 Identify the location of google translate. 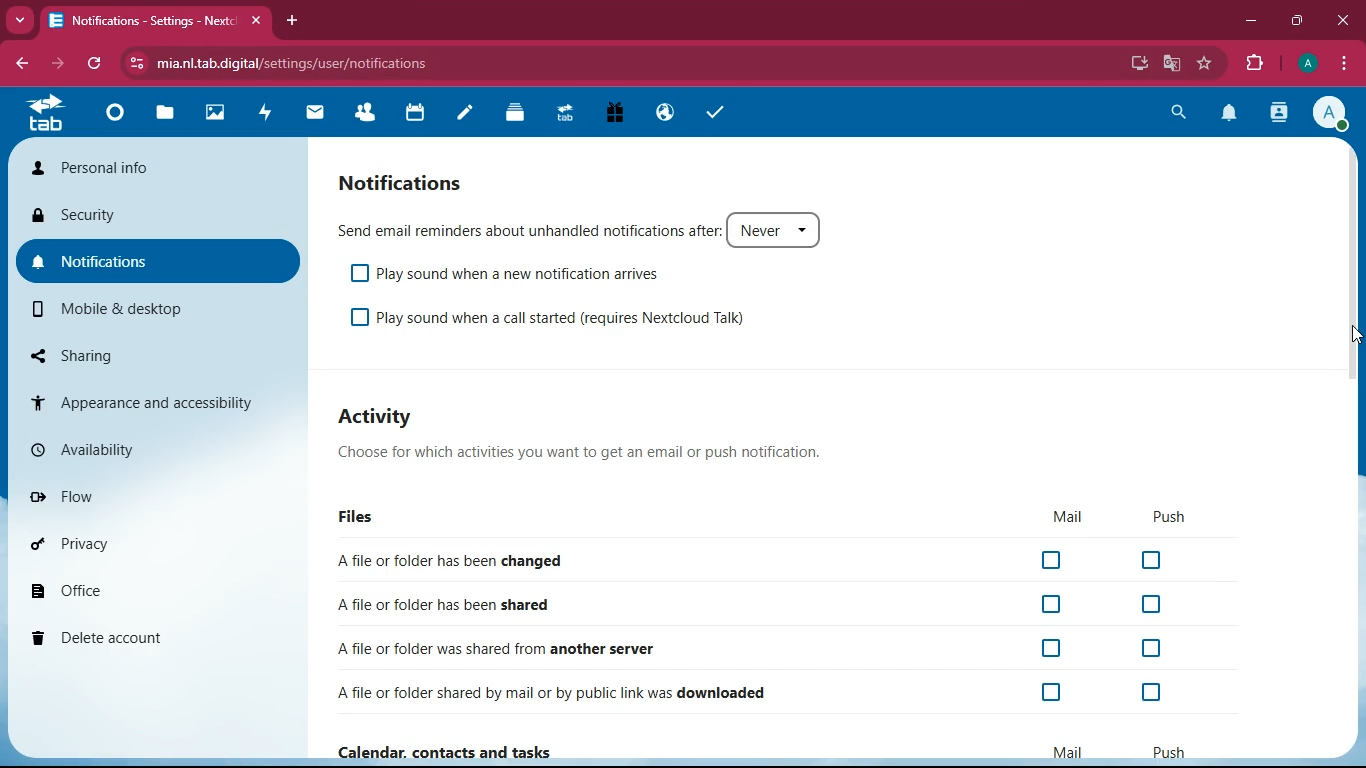
(1170, 64).